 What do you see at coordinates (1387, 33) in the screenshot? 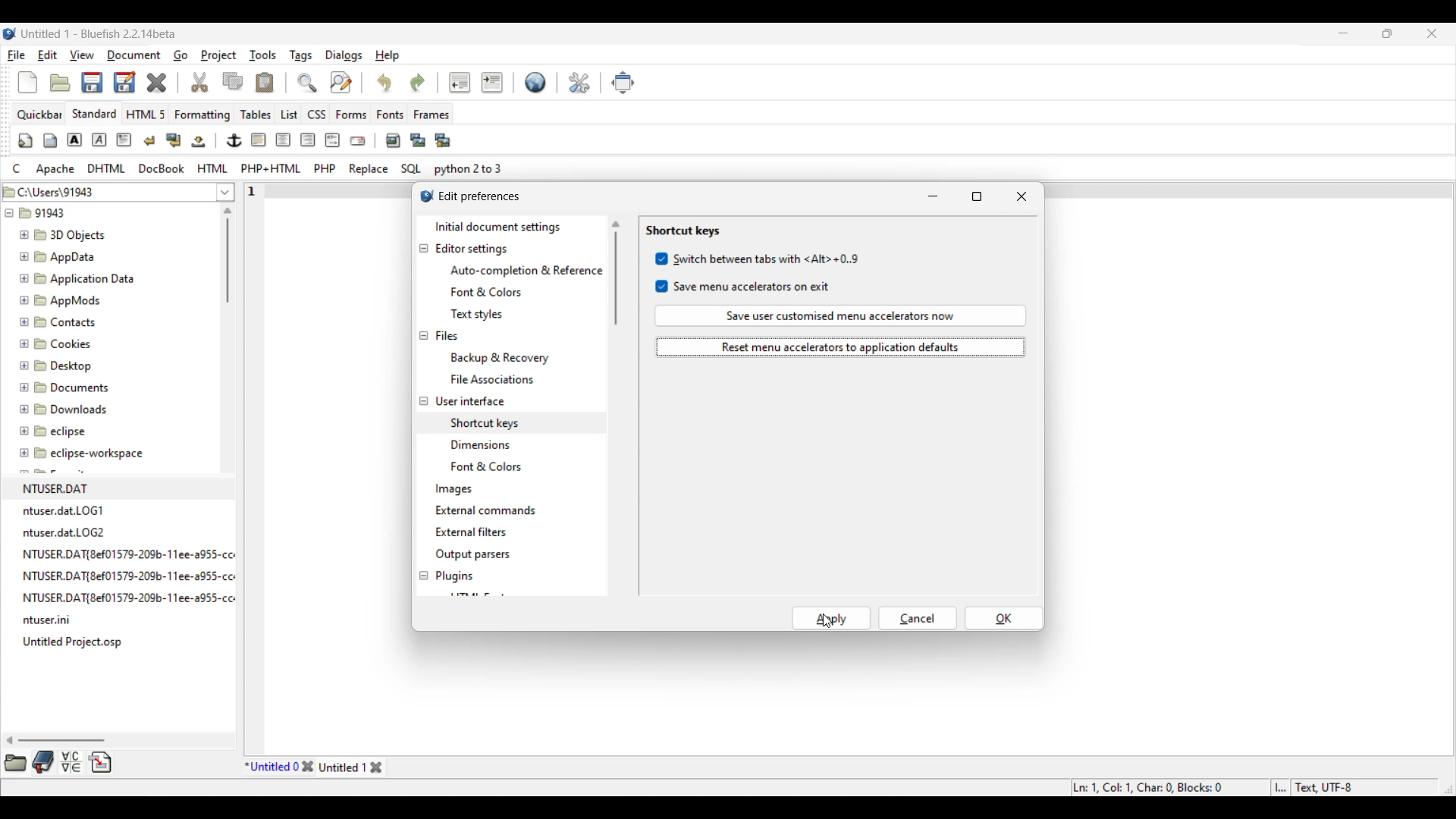
I see `Show in smaller tab` at bounding box center [1387, 33].